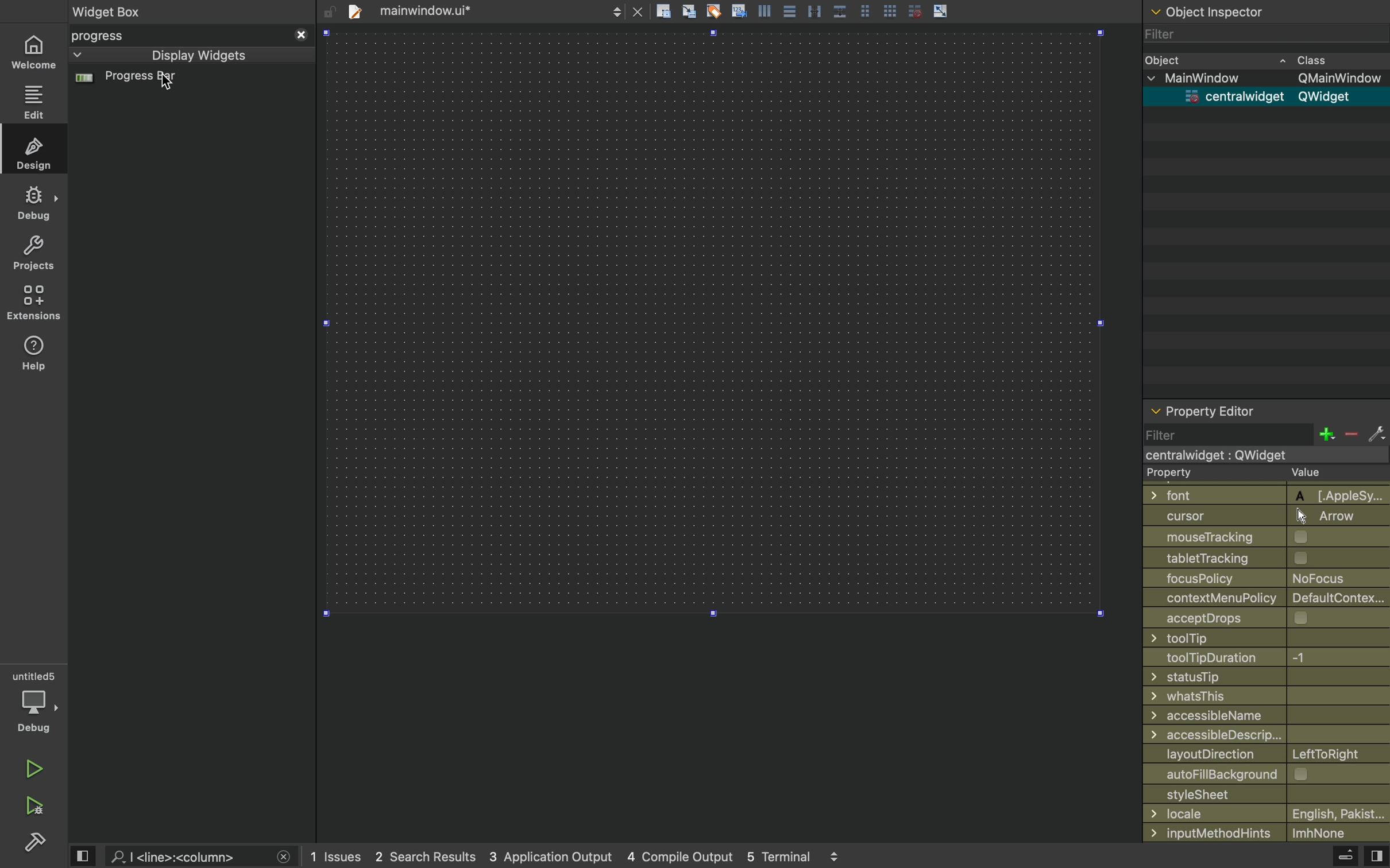 This screenshot has height=868, width=1390. I want to click on property editor, so click(1266, 413).